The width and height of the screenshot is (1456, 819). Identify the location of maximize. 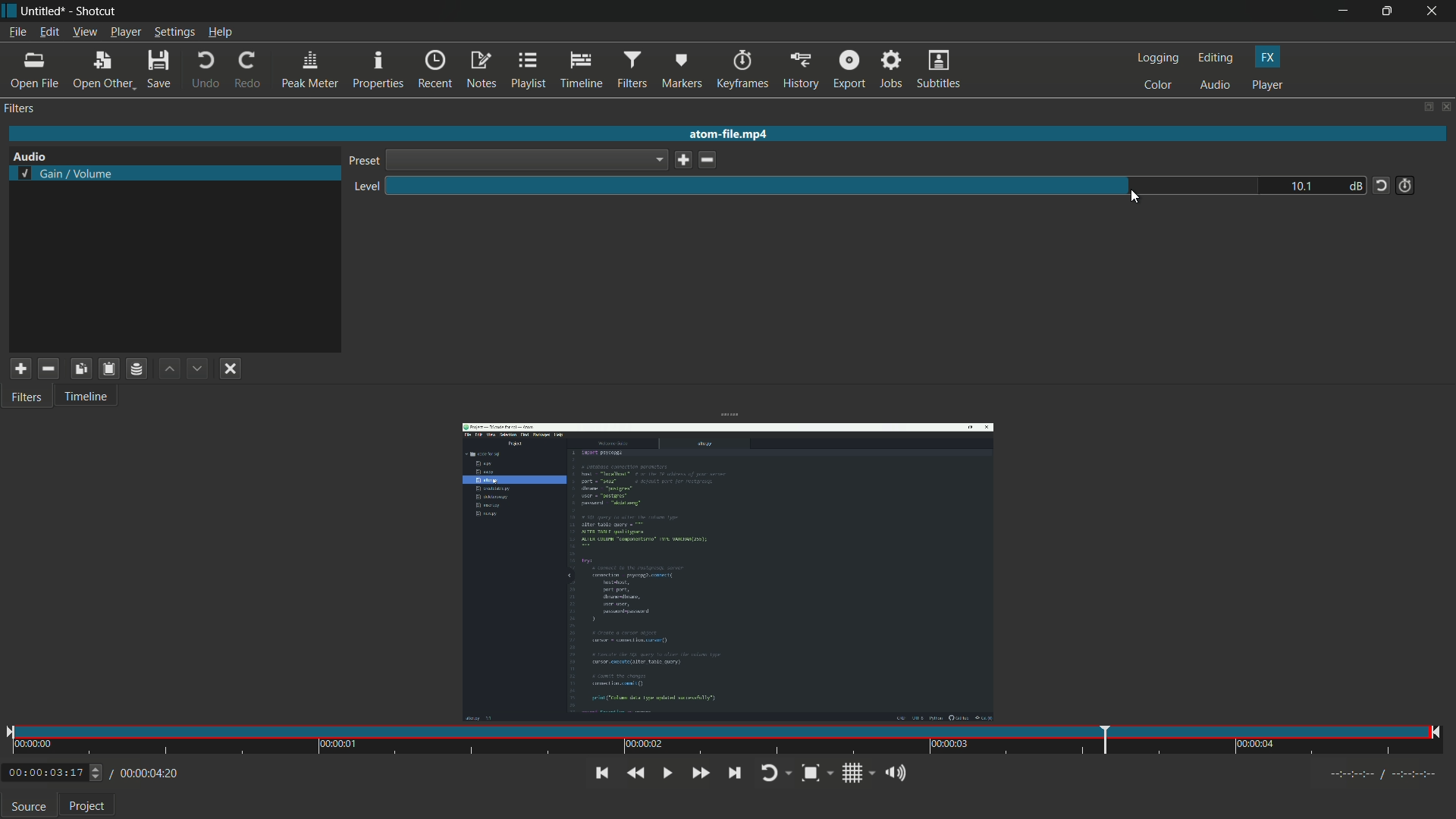
(1387, 11).